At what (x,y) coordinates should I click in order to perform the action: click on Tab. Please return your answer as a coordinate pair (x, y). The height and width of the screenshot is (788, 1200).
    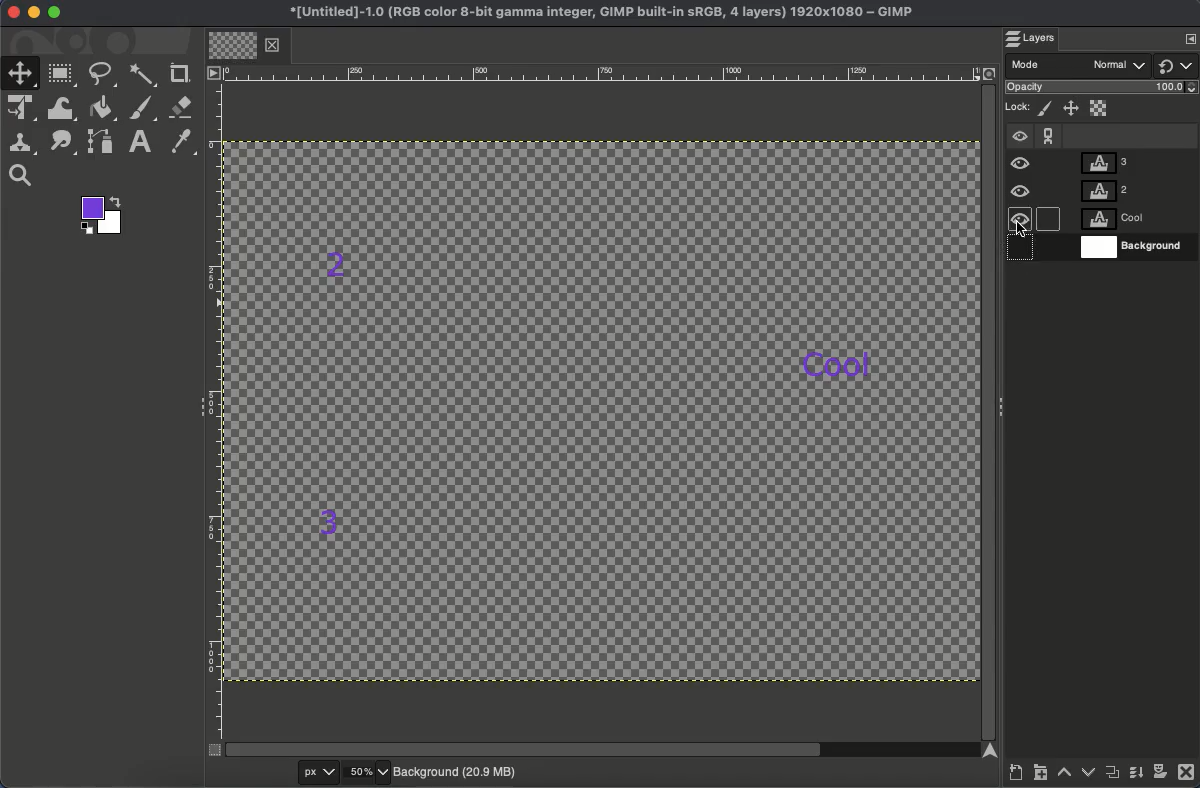
    Looking at the image, I should click on (243, 46).